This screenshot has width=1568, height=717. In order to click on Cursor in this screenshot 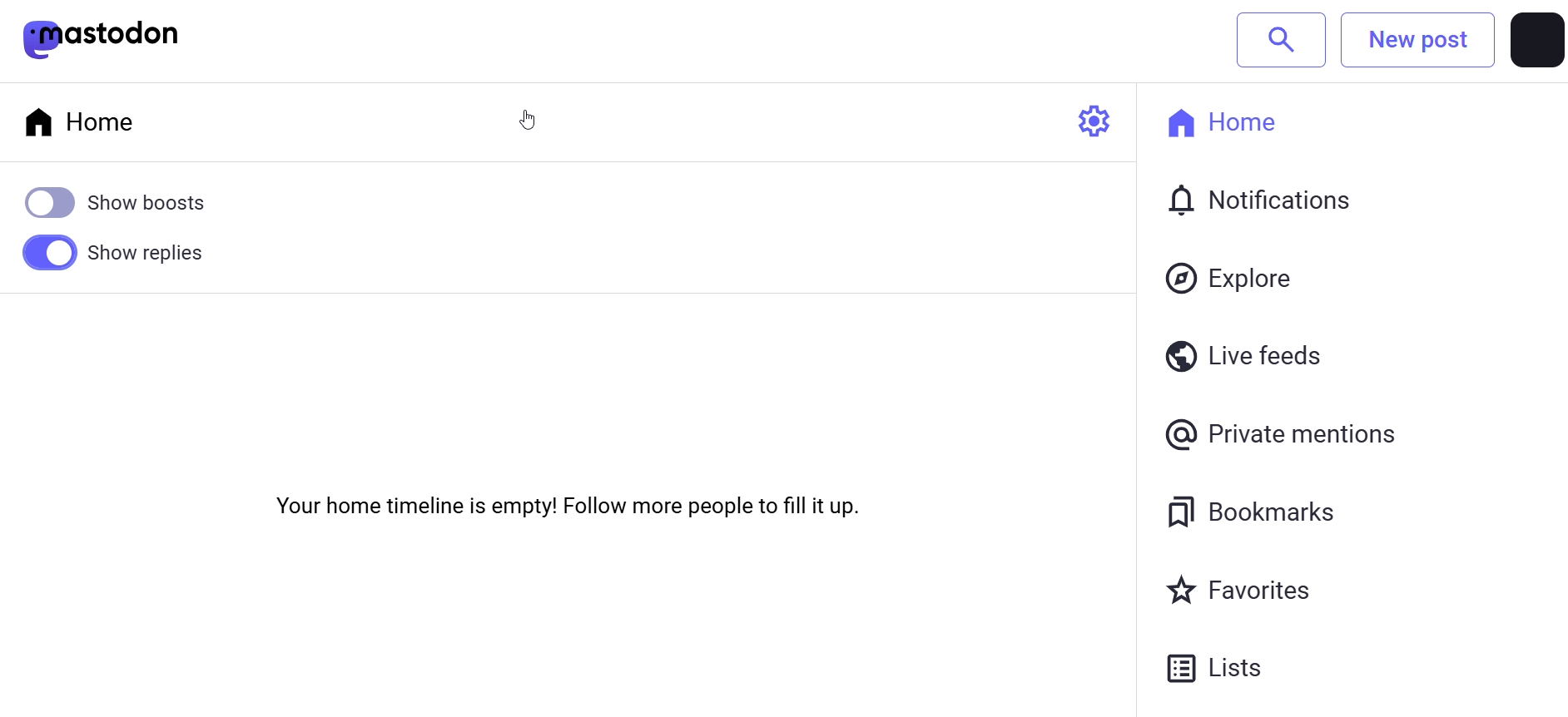, I will do `click(536, 119)`.